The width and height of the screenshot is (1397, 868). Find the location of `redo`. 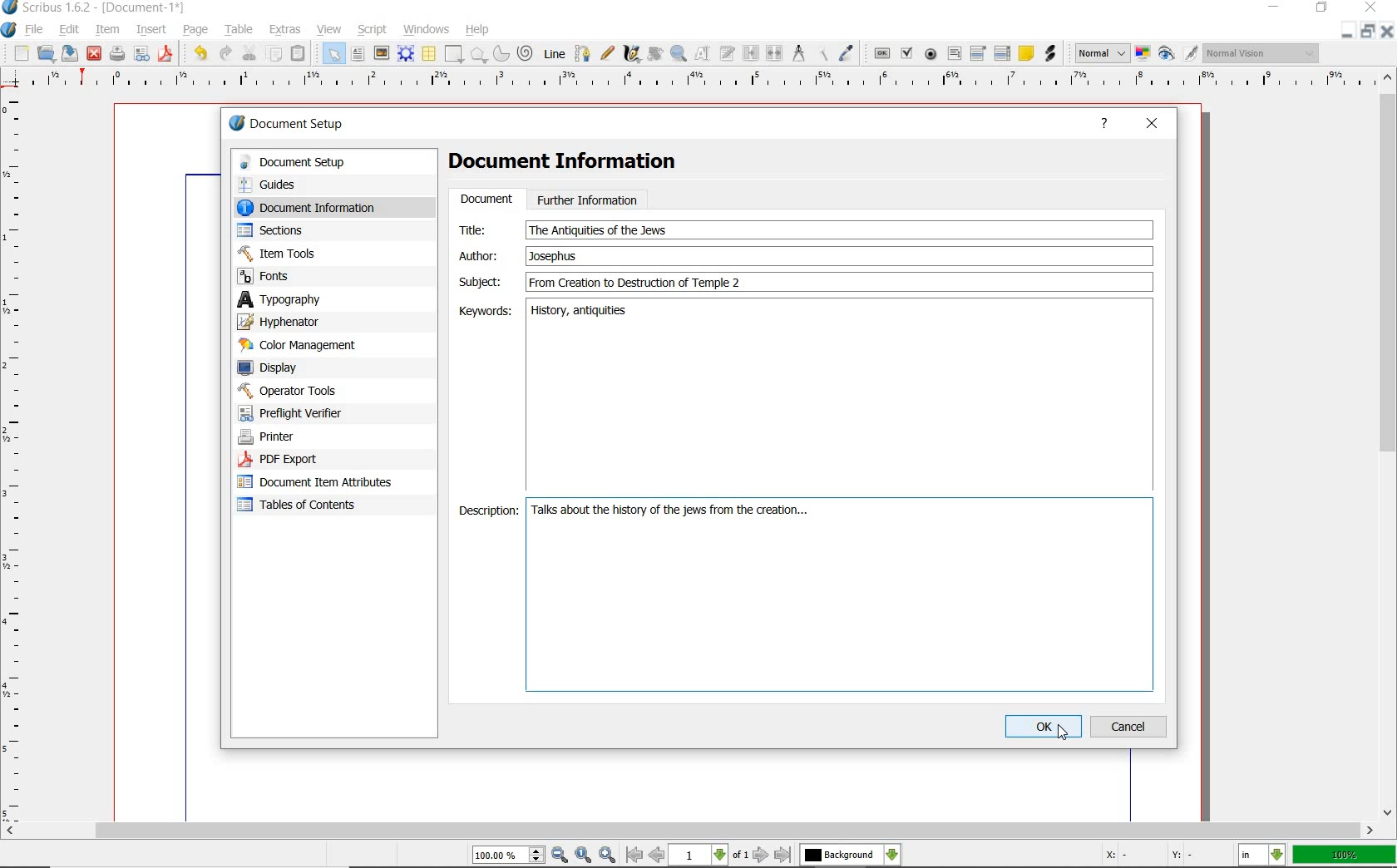

redo is located at coordinates (227, 54).